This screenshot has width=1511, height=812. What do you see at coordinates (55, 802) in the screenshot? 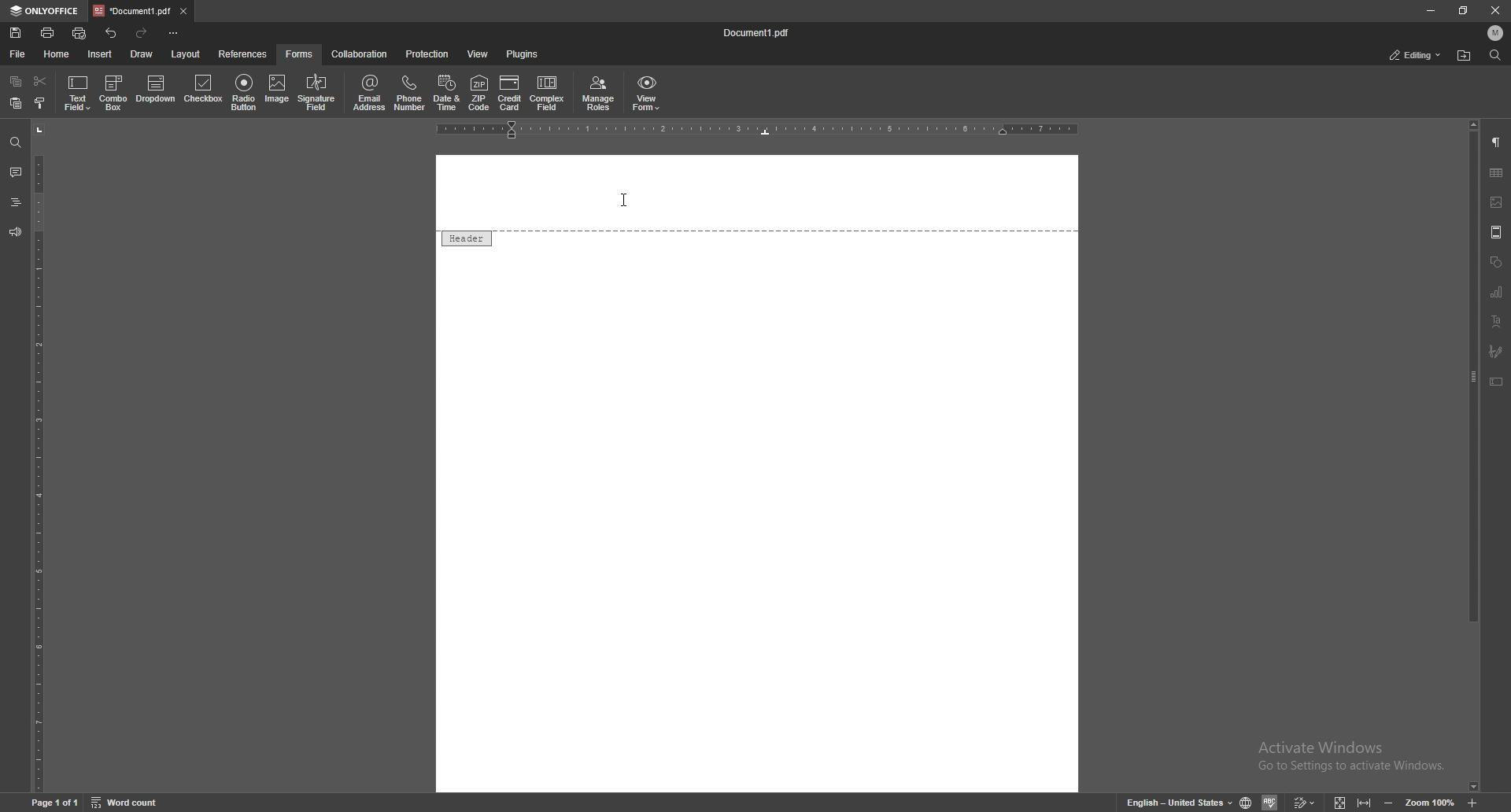
I see `page` at bounding box center [55, 802].